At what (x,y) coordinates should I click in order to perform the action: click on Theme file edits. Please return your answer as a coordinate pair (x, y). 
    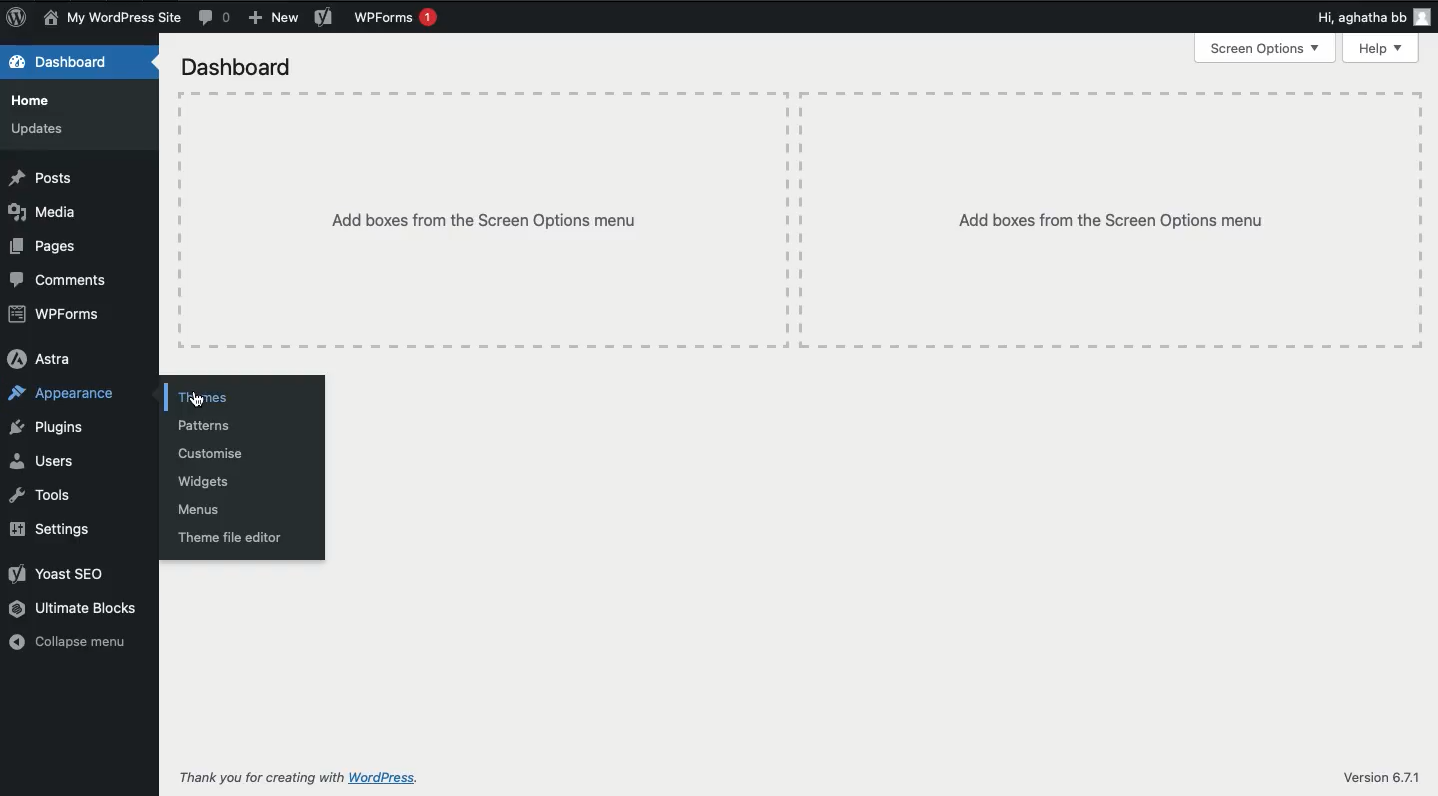
    Looking at the image, I should click on (230, 537).